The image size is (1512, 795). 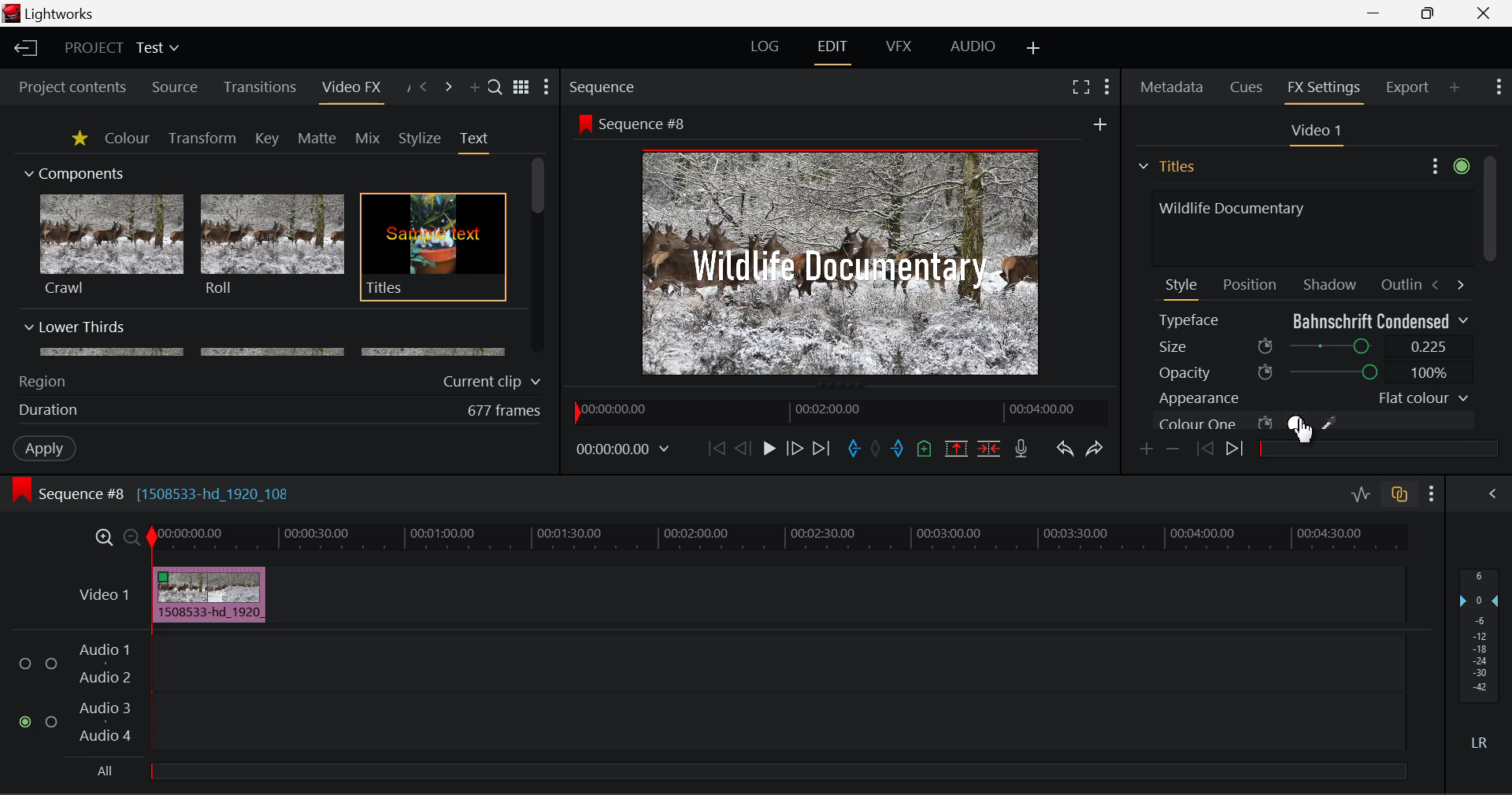 I want to click on Zoom Out Timeline, so click(x=132, y=539).